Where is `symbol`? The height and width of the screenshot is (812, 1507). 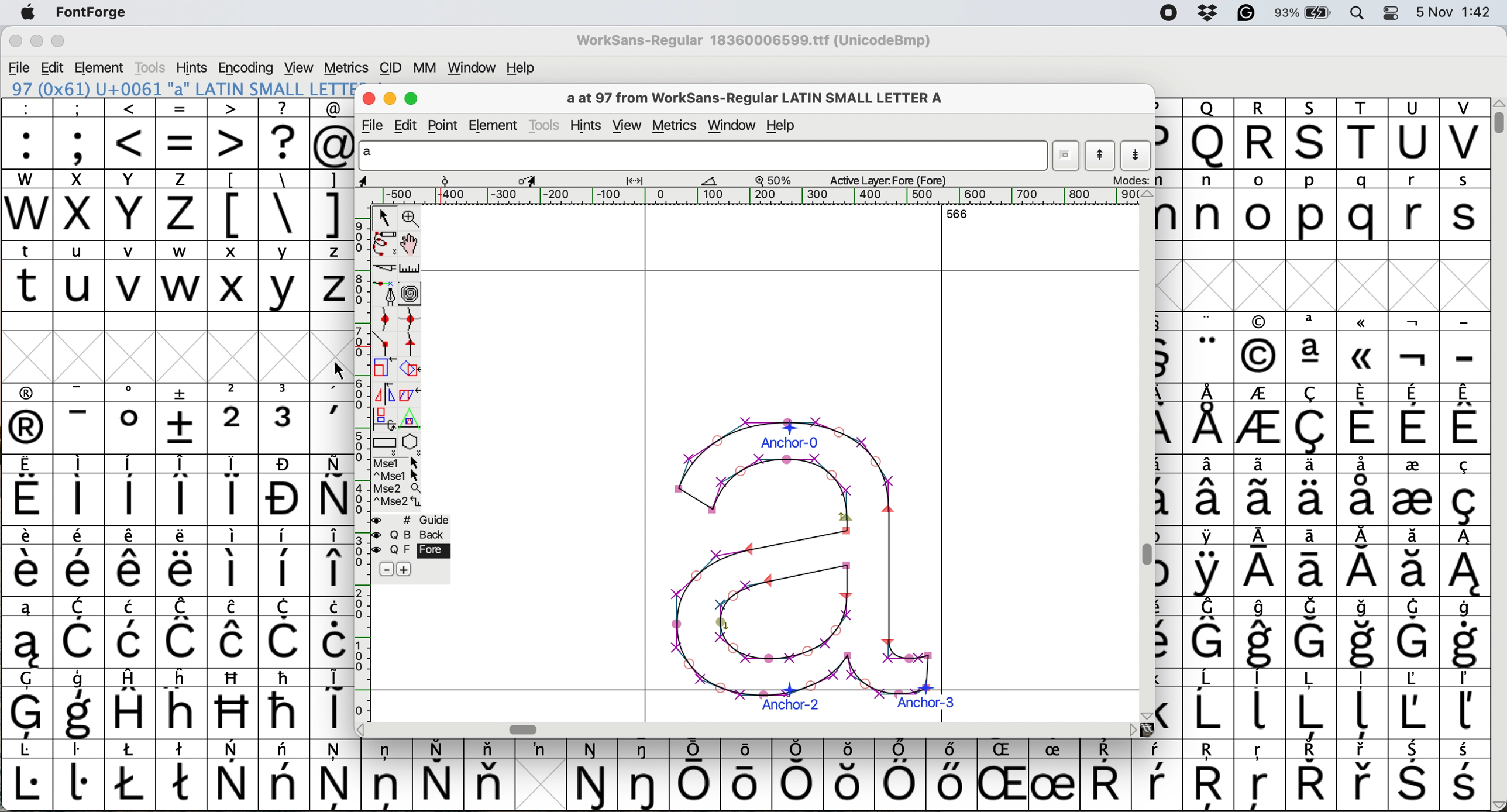 symbol is located at coordinates (25, 633).